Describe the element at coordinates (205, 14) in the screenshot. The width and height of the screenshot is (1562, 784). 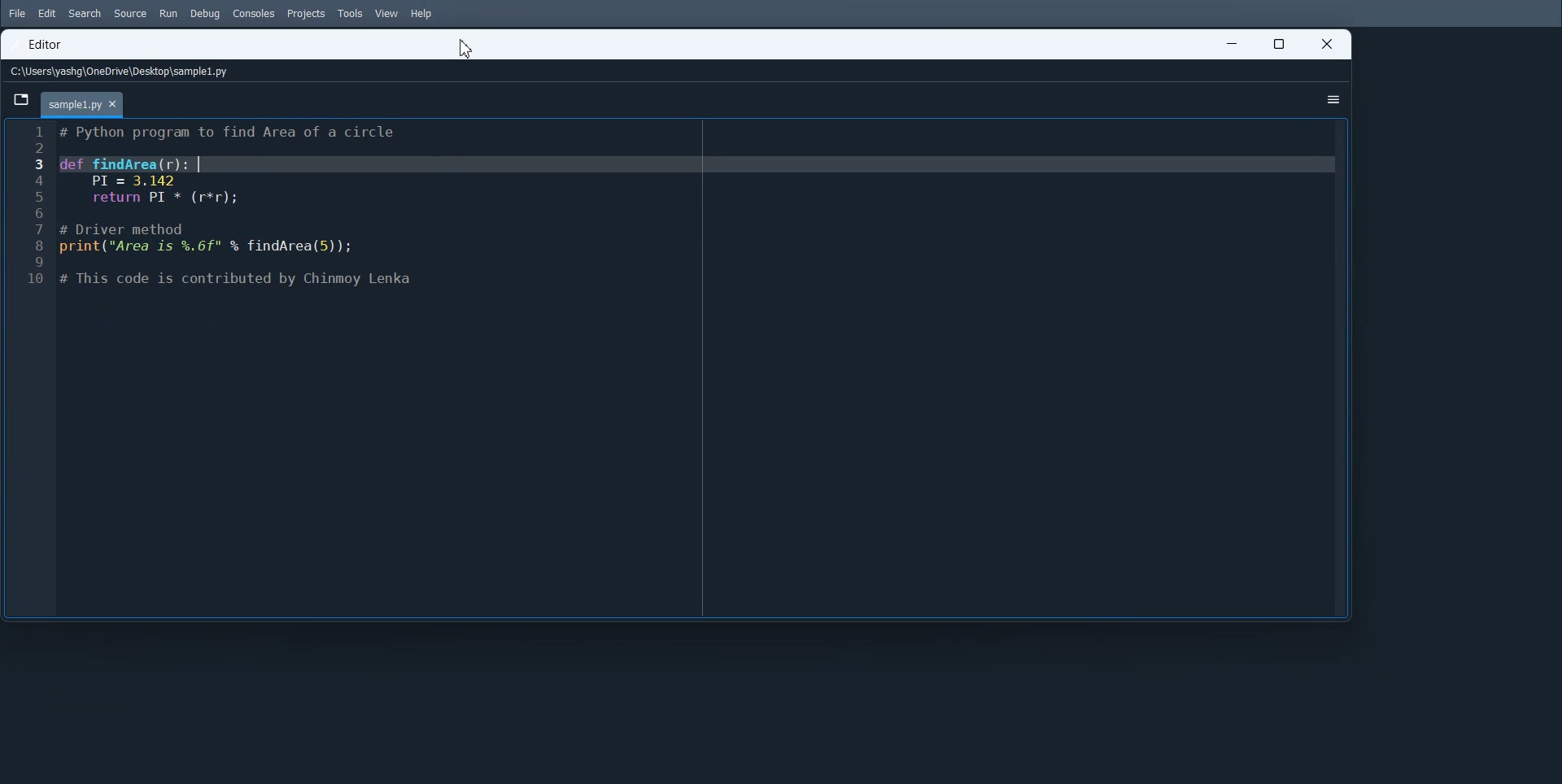
I see `Debug` at that location.